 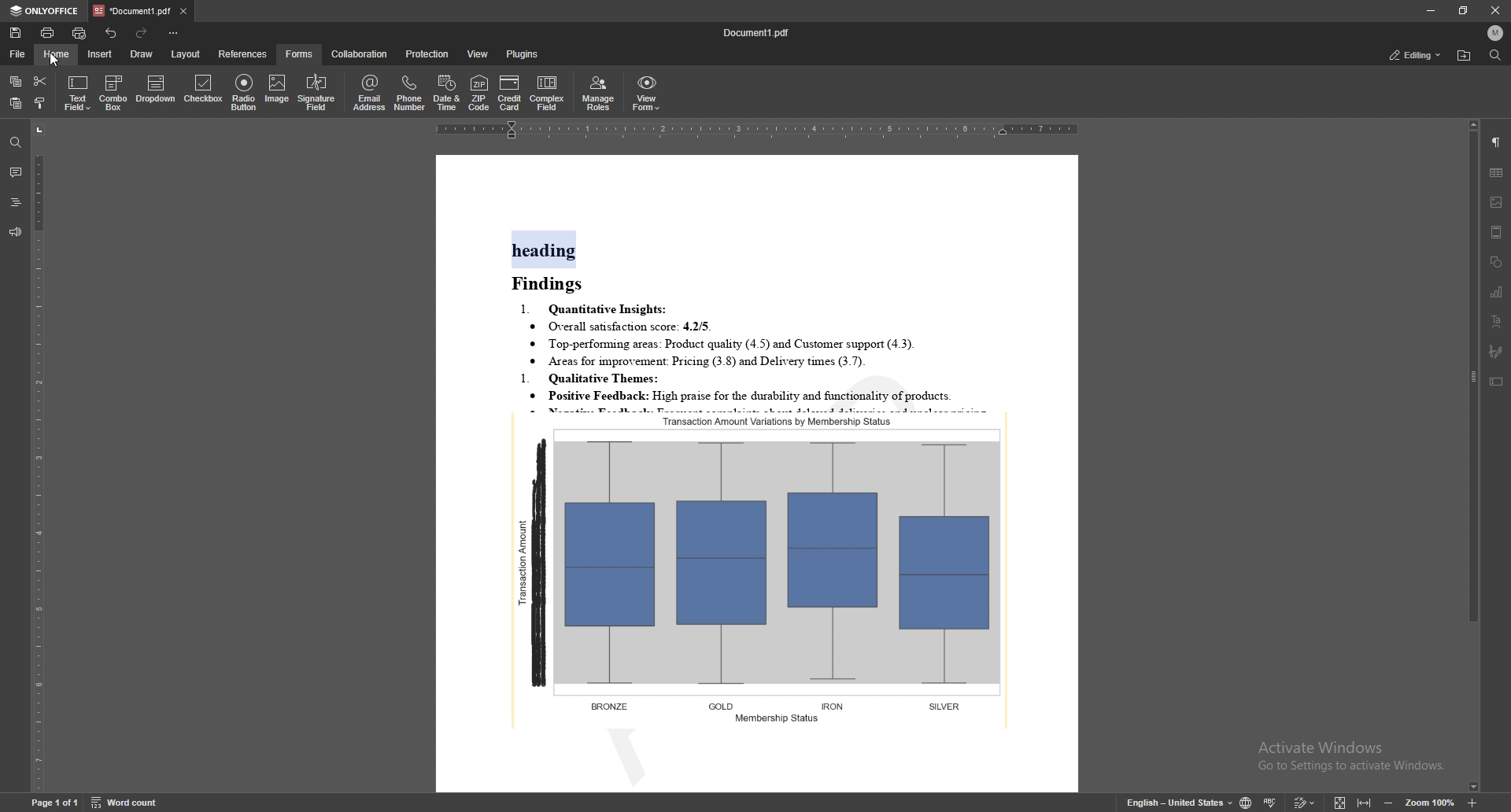 What do you see at coordinates (42, 804) in the screenshot?
I see `Page 1 of 1` at bounding box center [42, 804].